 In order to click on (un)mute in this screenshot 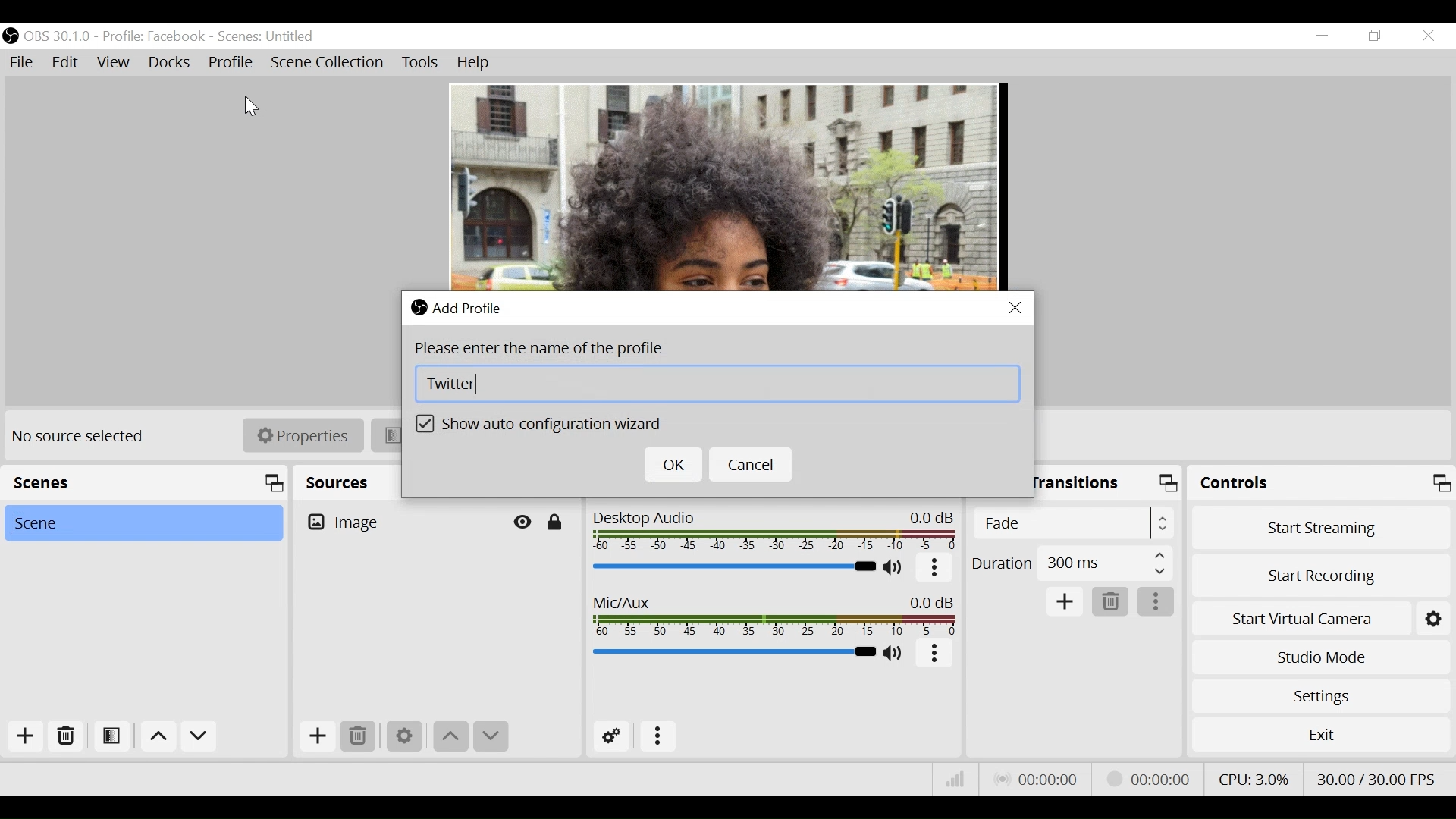, I will do `click(897, 654)`.